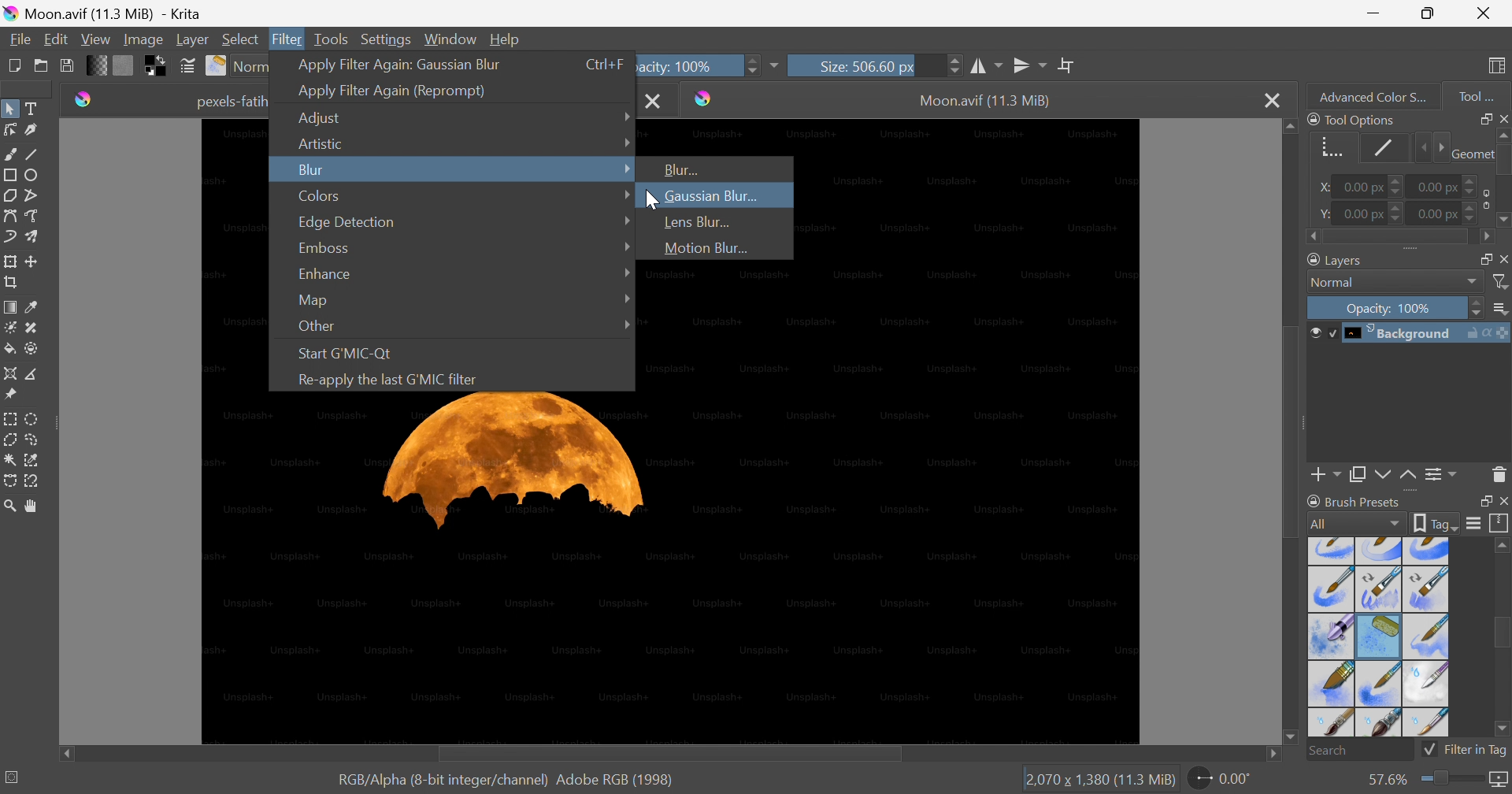  I want to click on Previous, so click(1419, 148).